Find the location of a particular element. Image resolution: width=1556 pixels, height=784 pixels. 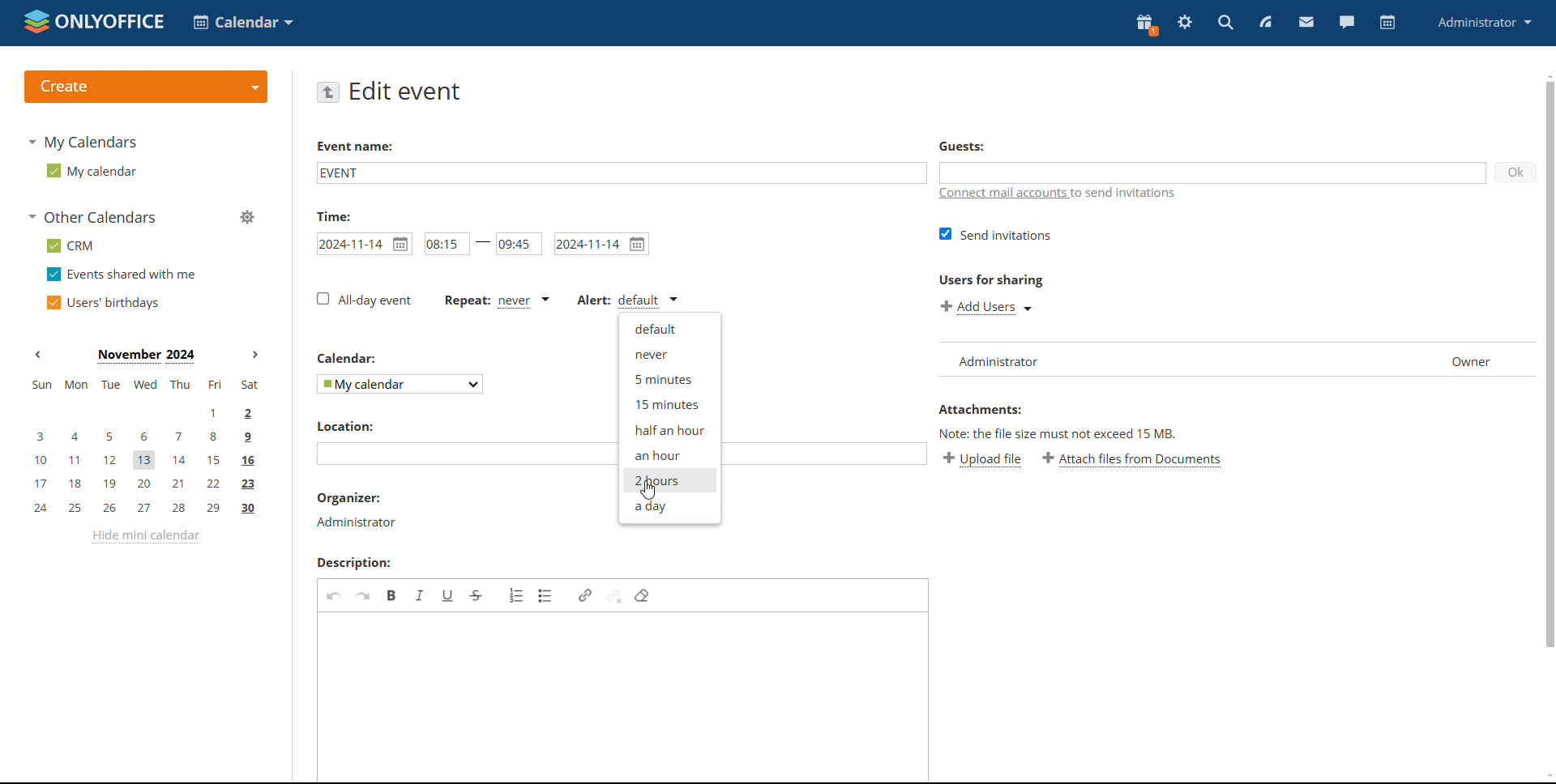

hide mini calendar is located at coordinates (143, 536).